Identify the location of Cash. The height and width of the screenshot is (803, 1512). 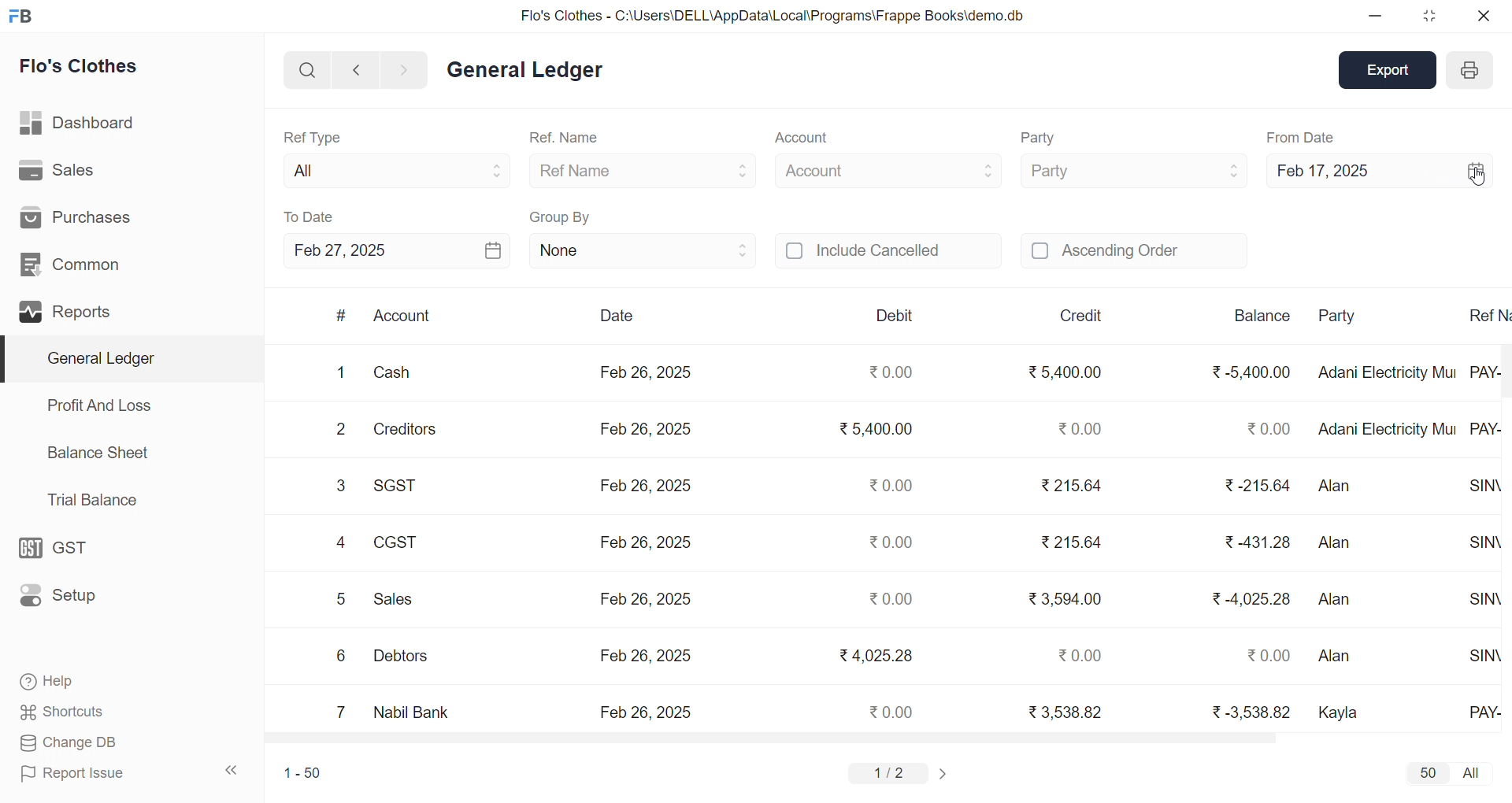
(402, 370).